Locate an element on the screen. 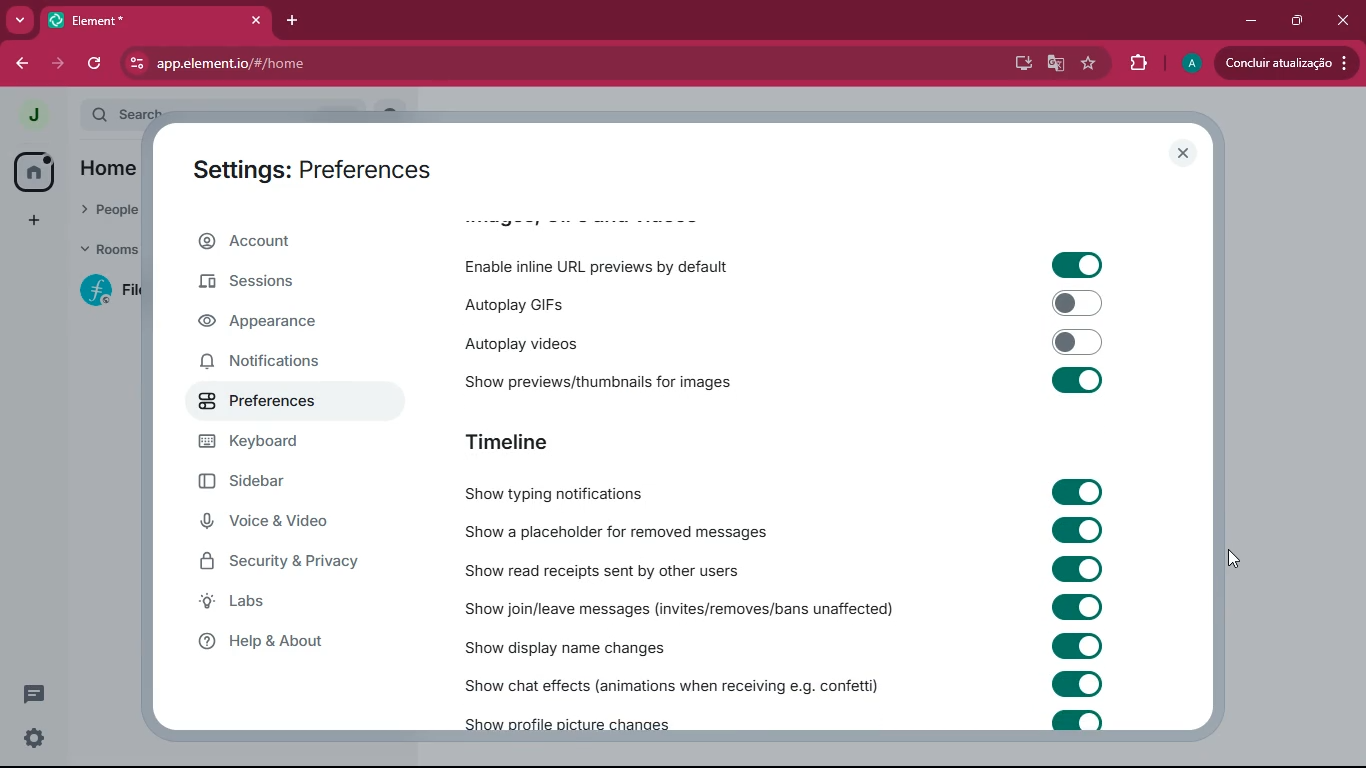 Image resolution: width=1366 pixels, height=768 pixels. toggle on/off is located at coordinates (1077, 607).